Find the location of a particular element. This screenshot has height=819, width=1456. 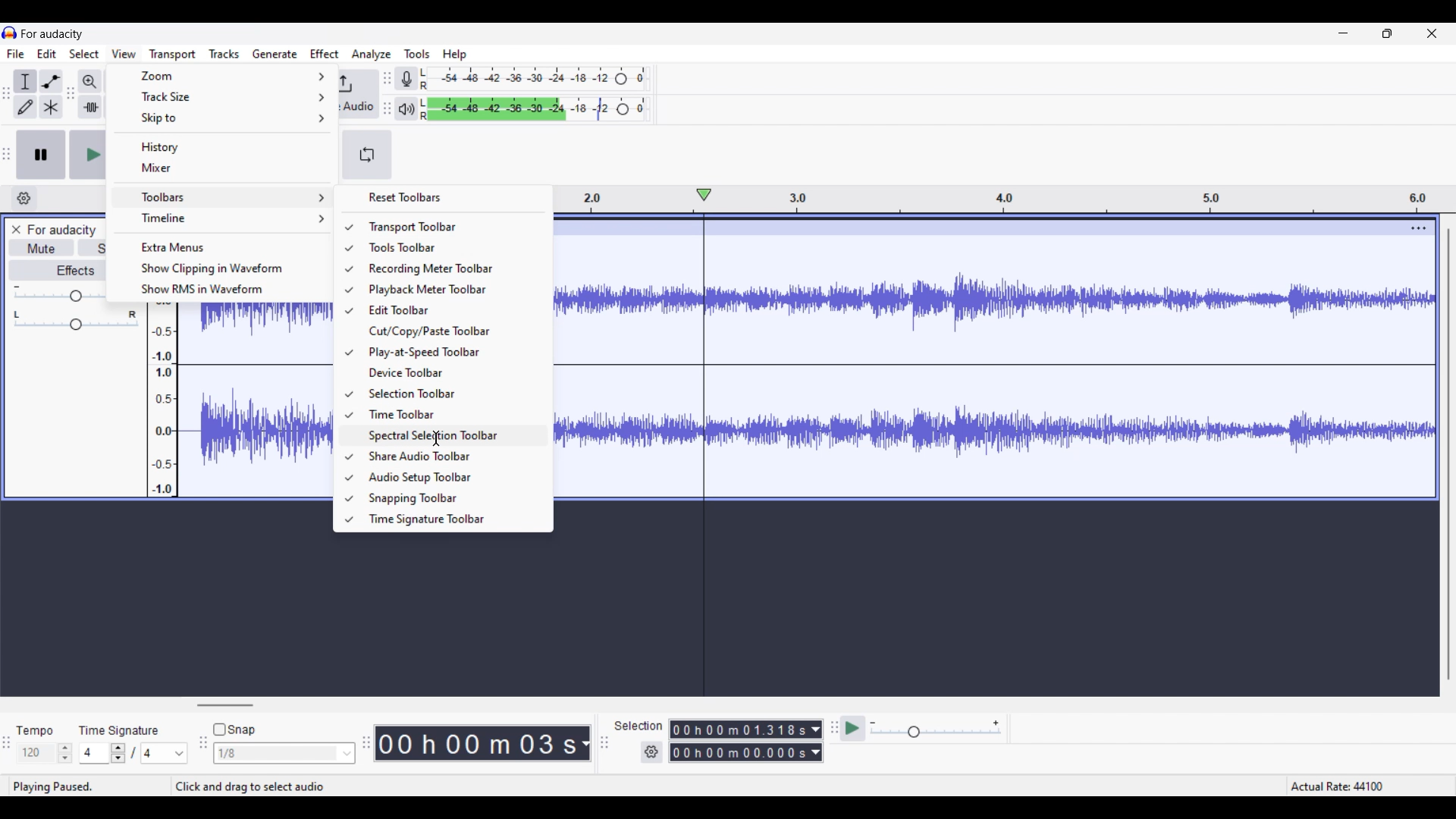

Effect menu is located at coordinates (325, 53).